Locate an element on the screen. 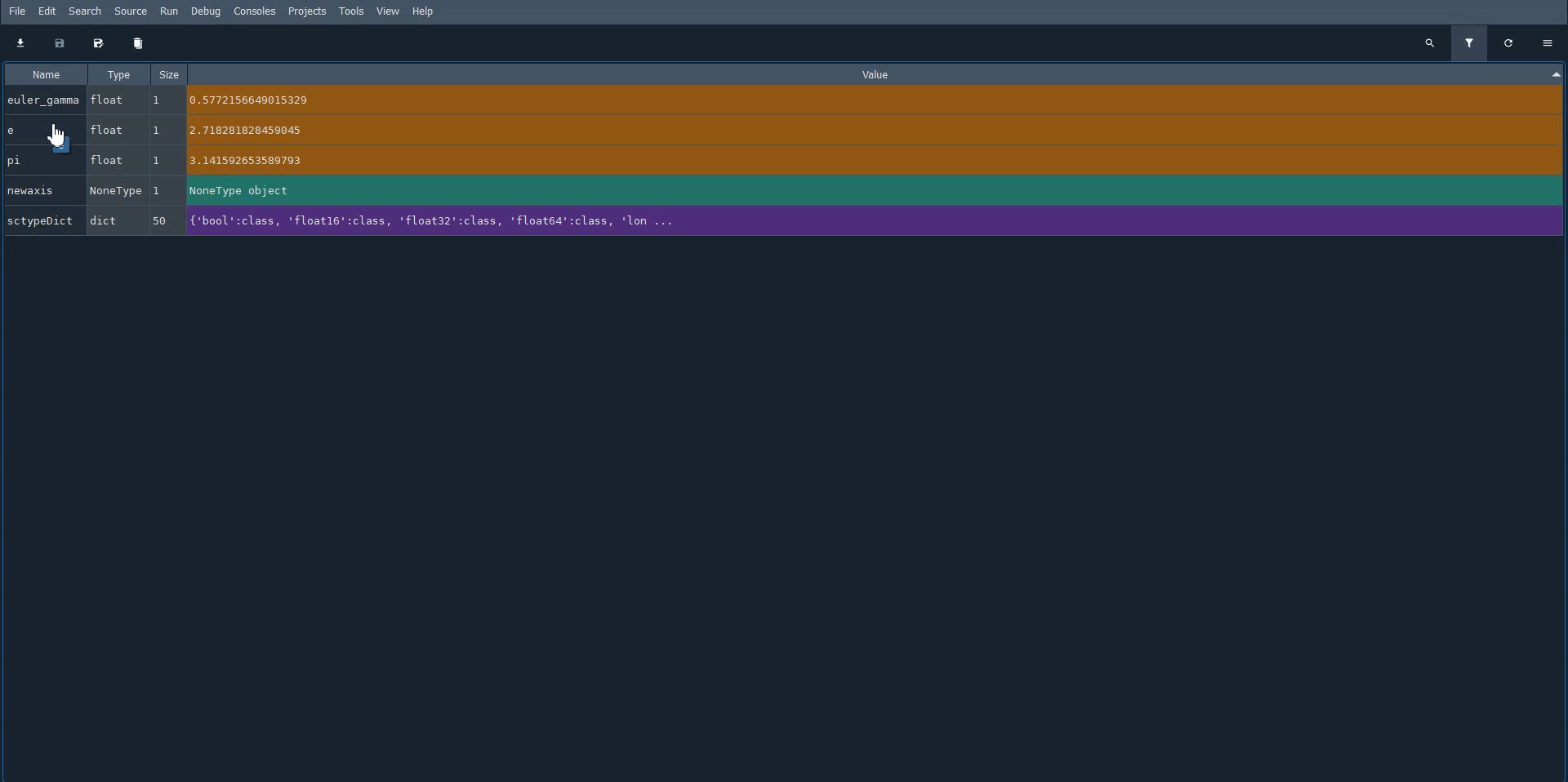  File is located at coordinates (15, 11).